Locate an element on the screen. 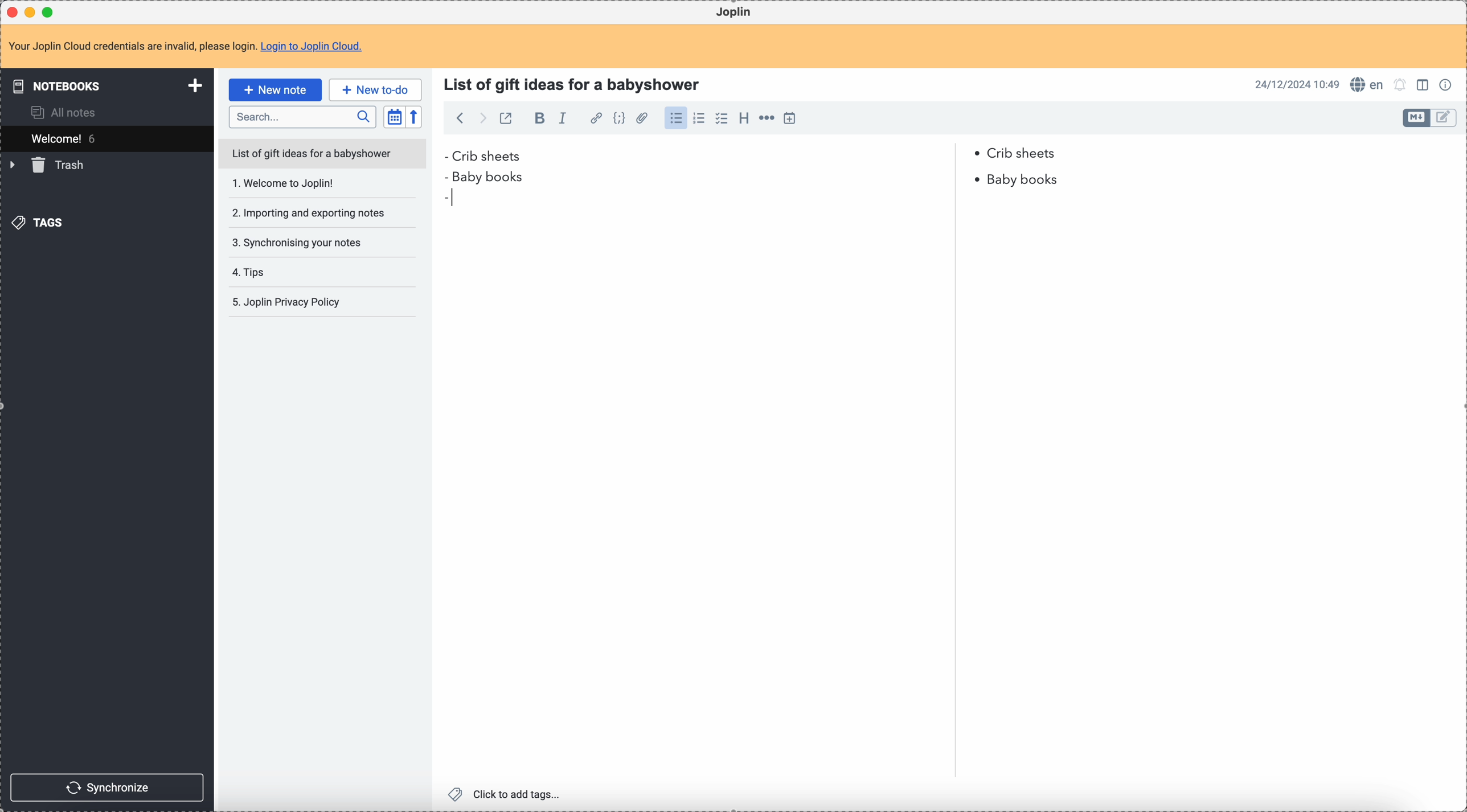 This screenshot has width=1467, height=812. tags is located at coordinates (37, 223).